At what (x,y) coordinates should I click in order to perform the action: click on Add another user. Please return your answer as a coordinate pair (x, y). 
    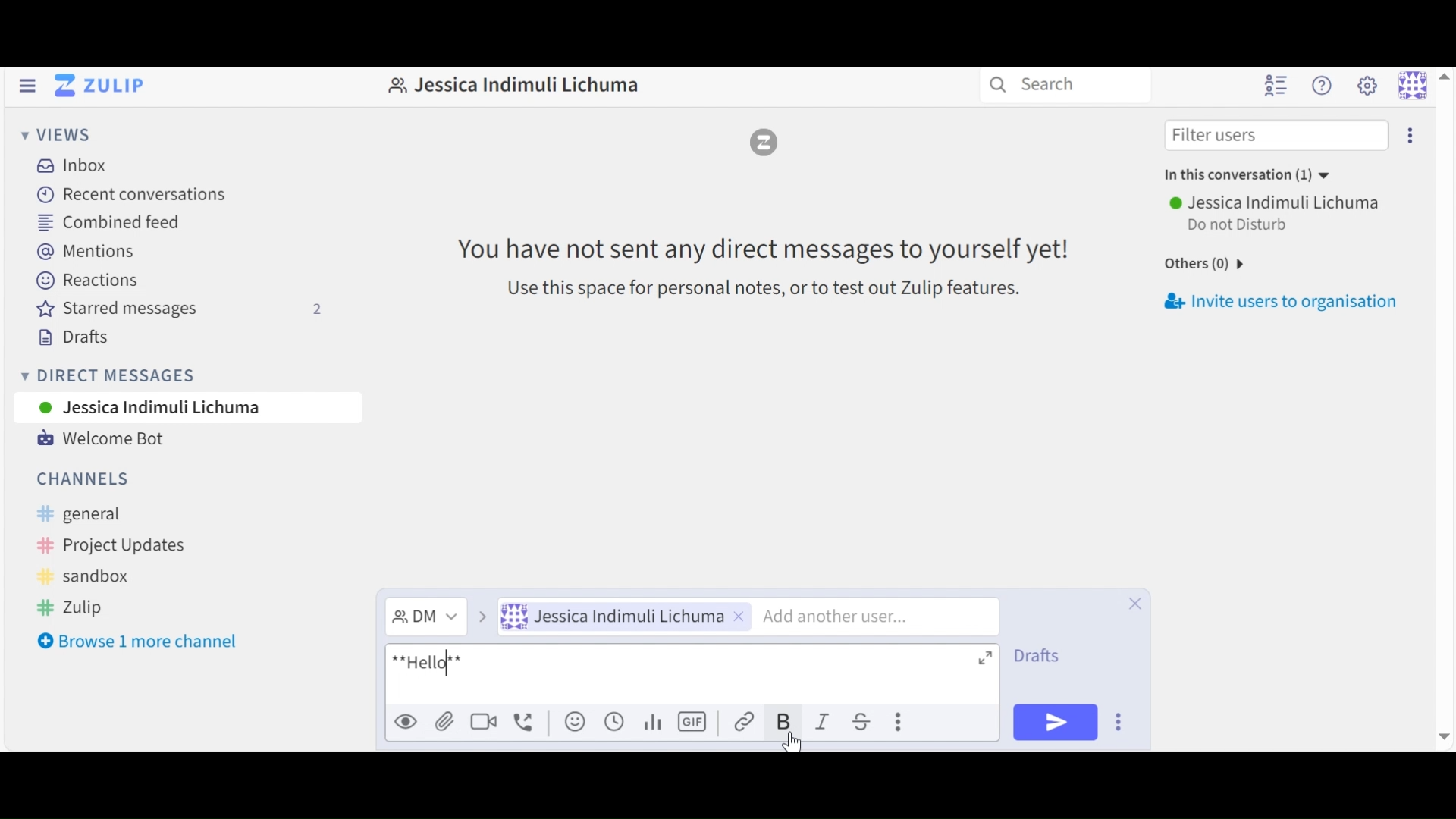
    Looking at the image, I should click on (880, 615).